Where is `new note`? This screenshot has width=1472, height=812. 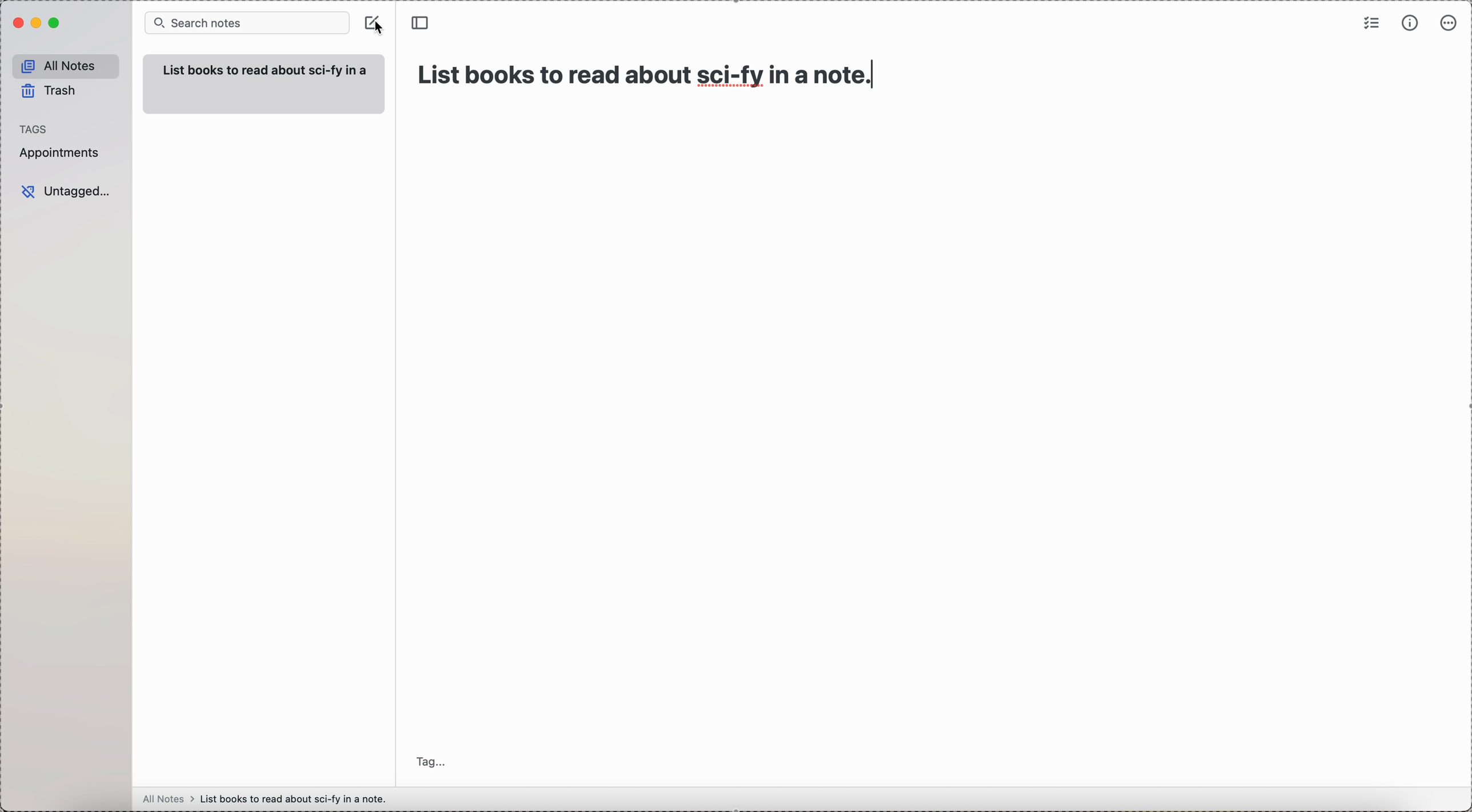
new note is located at coordinates (264, 83).